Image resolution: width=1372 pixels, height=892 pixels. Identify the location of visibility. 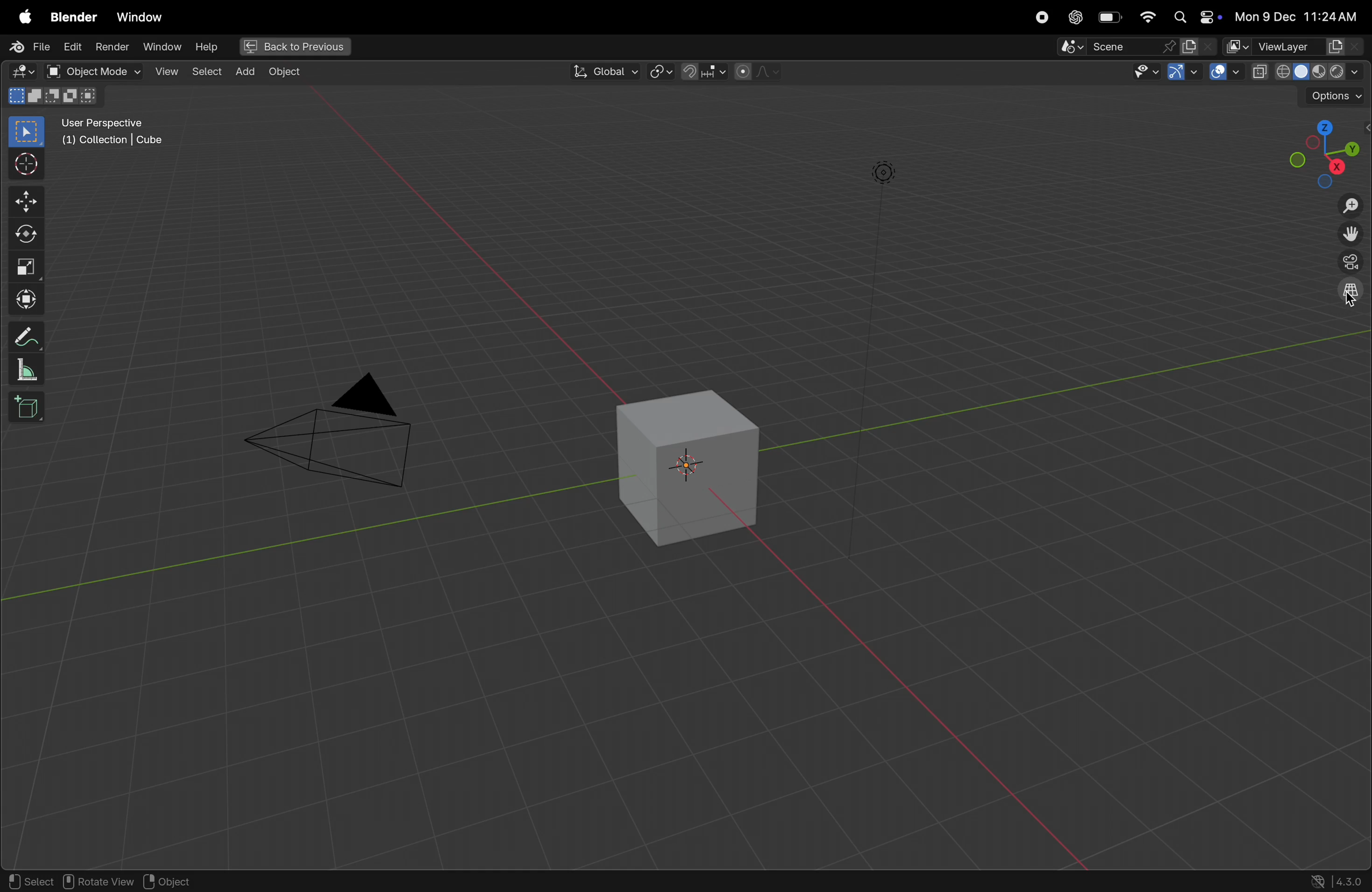
(1141, 73).